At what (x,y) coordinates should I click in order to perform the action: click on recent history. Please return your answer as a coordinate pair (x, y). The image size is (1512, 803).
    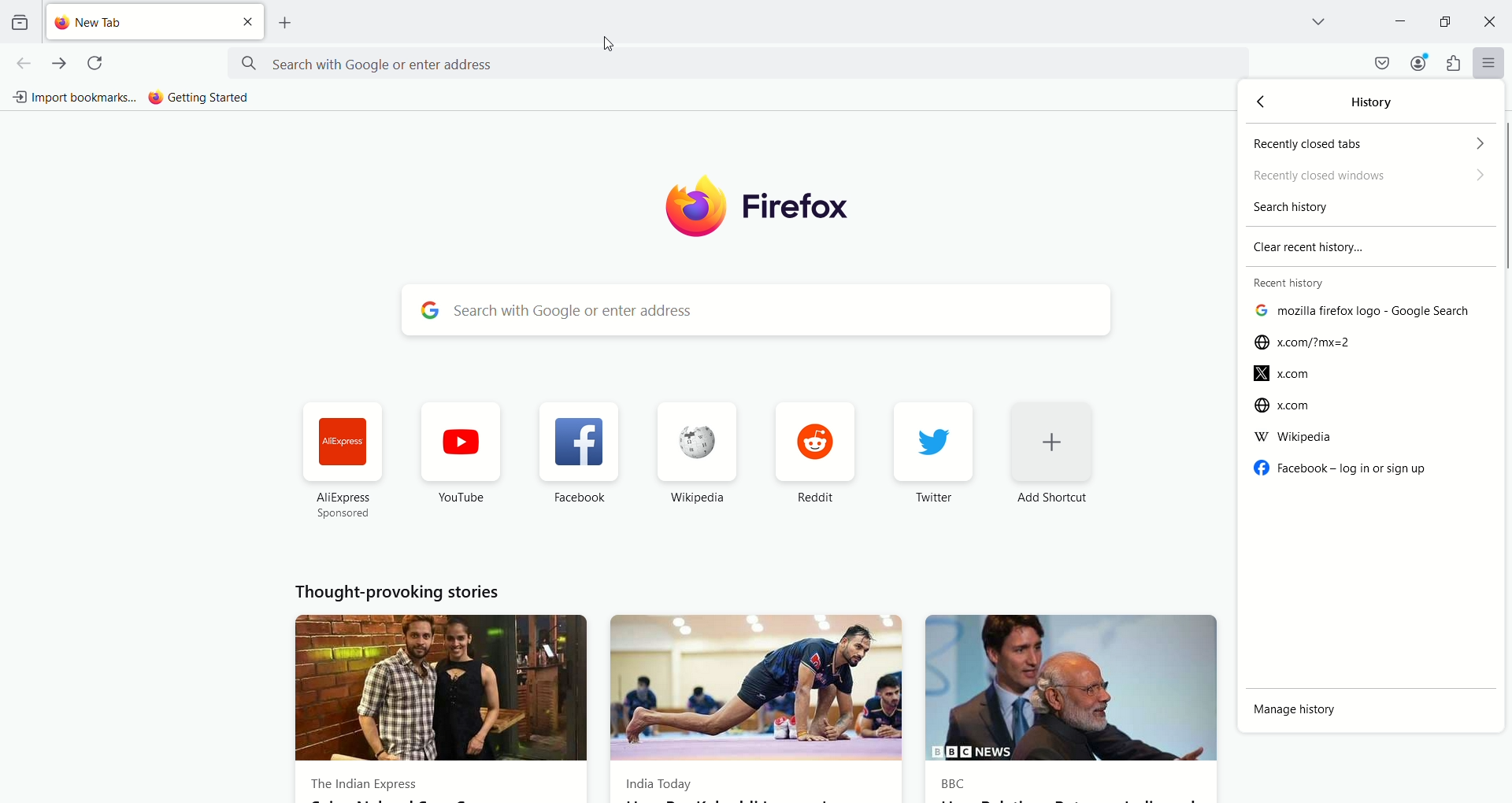
    Looking at the image, I should click on (1372, 280).